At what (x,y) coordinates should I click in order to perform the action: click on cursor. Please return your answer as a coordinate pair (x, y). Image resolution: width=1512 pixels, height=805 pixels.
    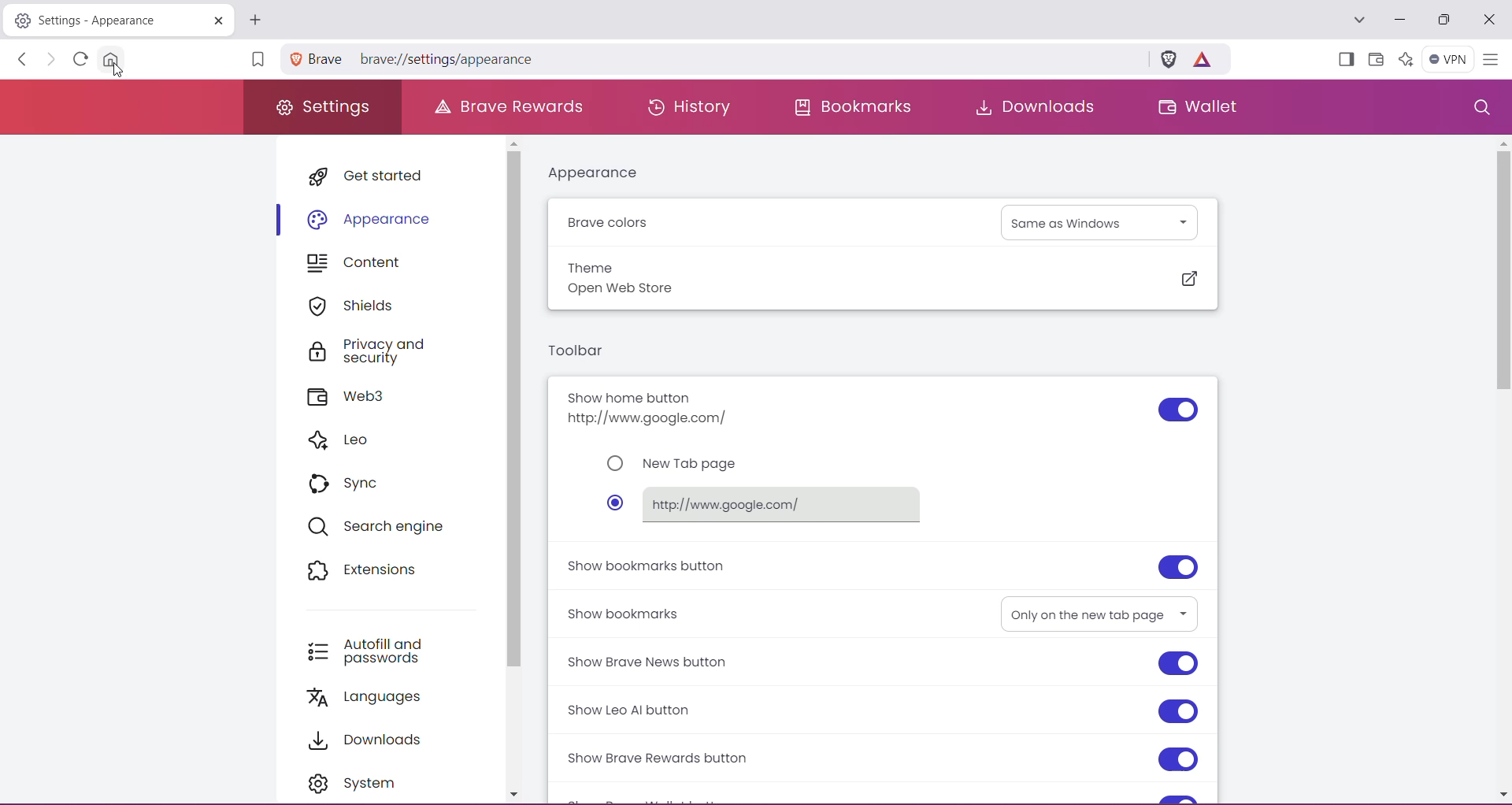
    Looking at the image, I should click on (119, 72).